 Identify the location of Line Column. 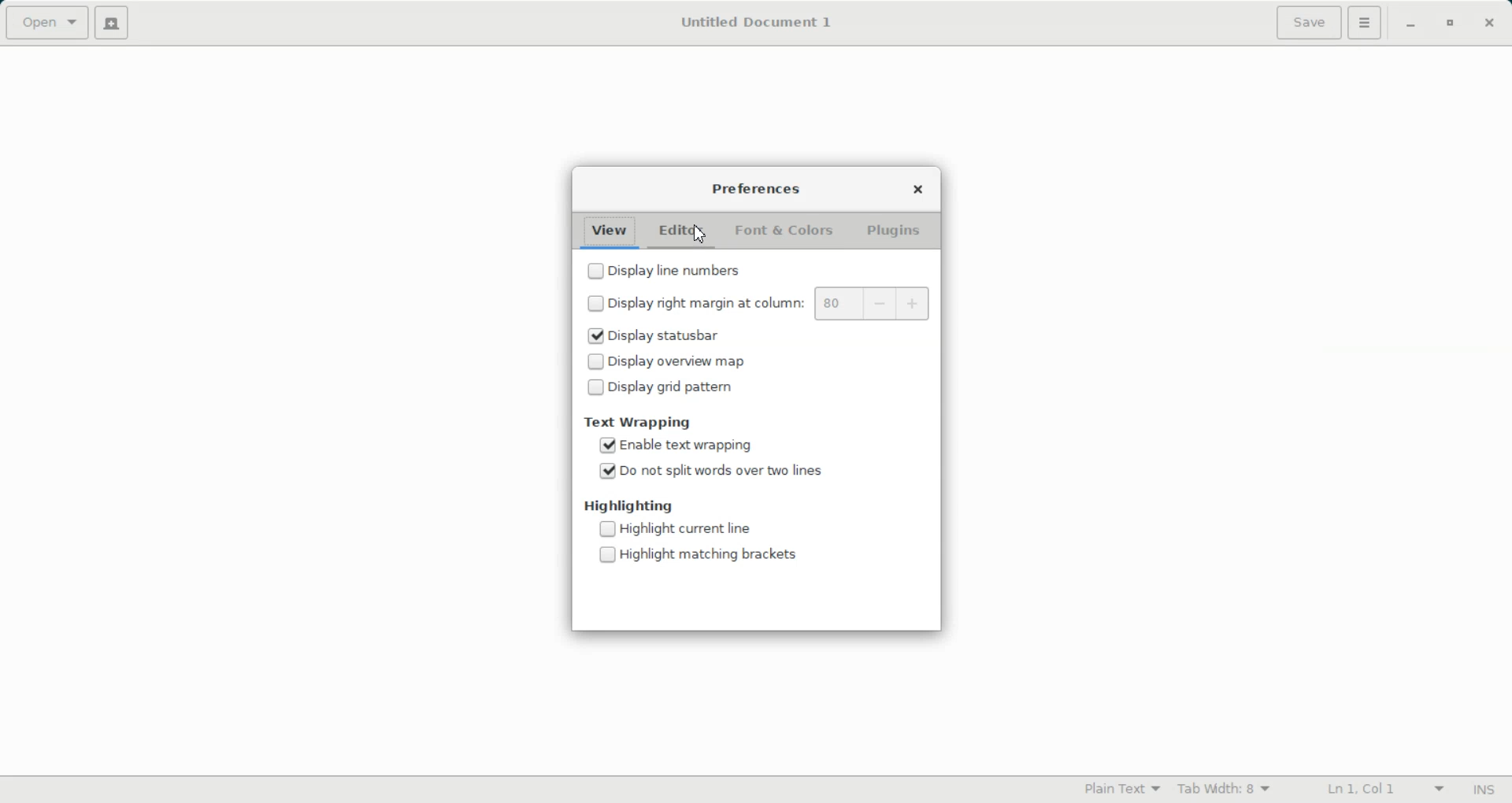
(1373, 790).